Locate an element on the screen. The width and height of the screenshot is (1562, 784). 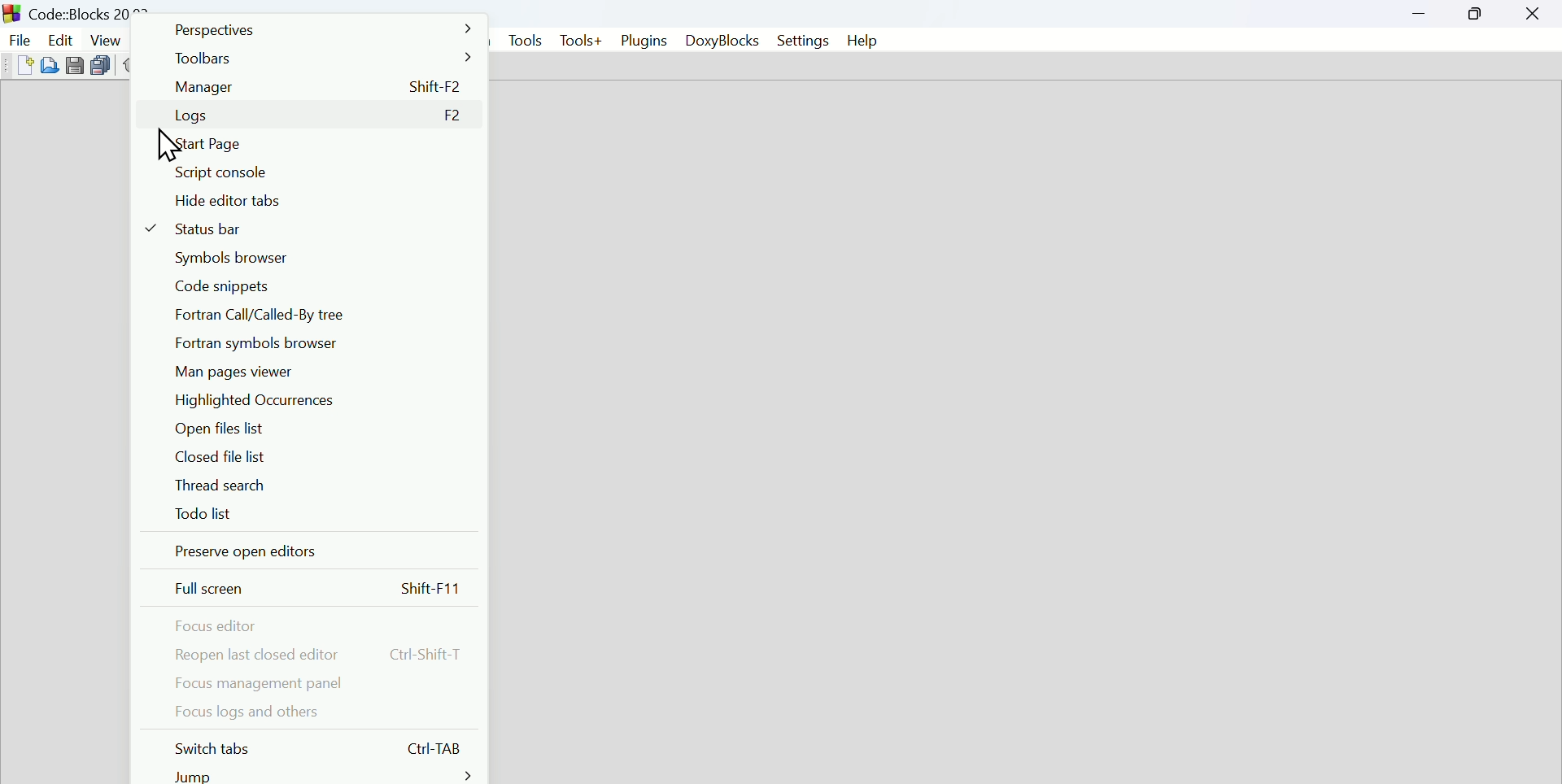
Save file is located at coordinates (74, 64).